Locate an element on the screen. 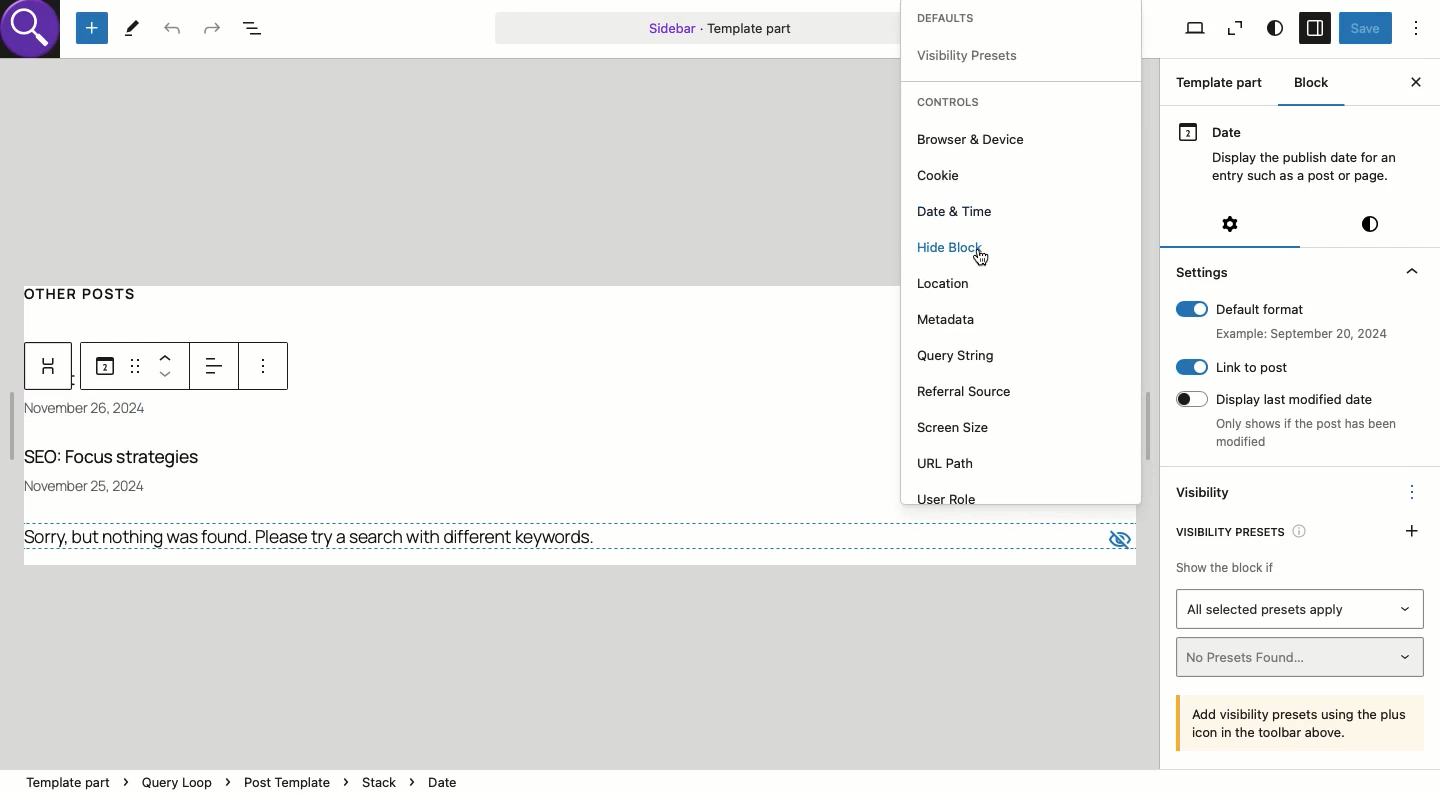  Options is located at coordinates (1413, 490).